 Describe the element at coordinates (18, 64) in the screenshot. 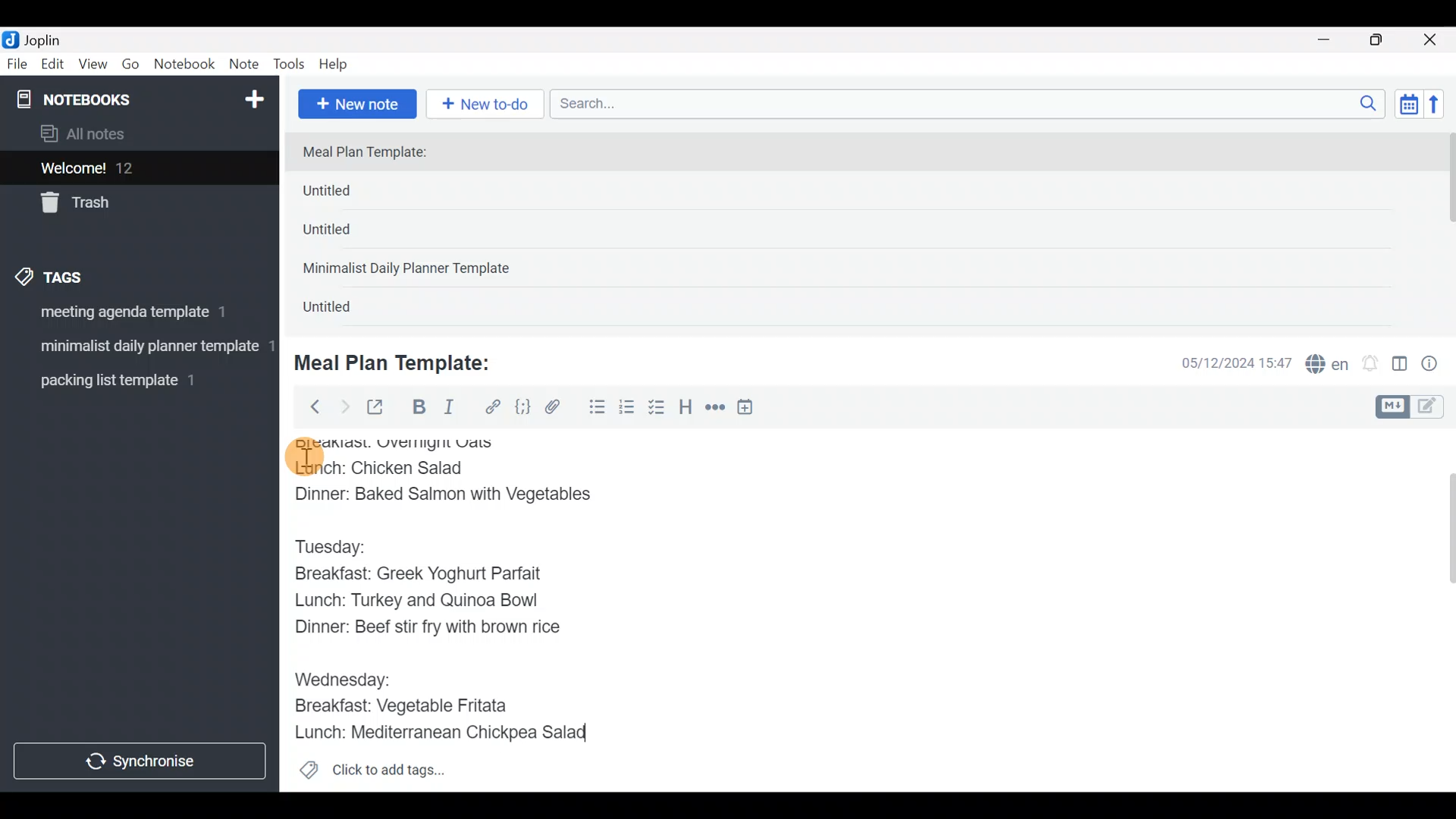

I see `File` at that location.